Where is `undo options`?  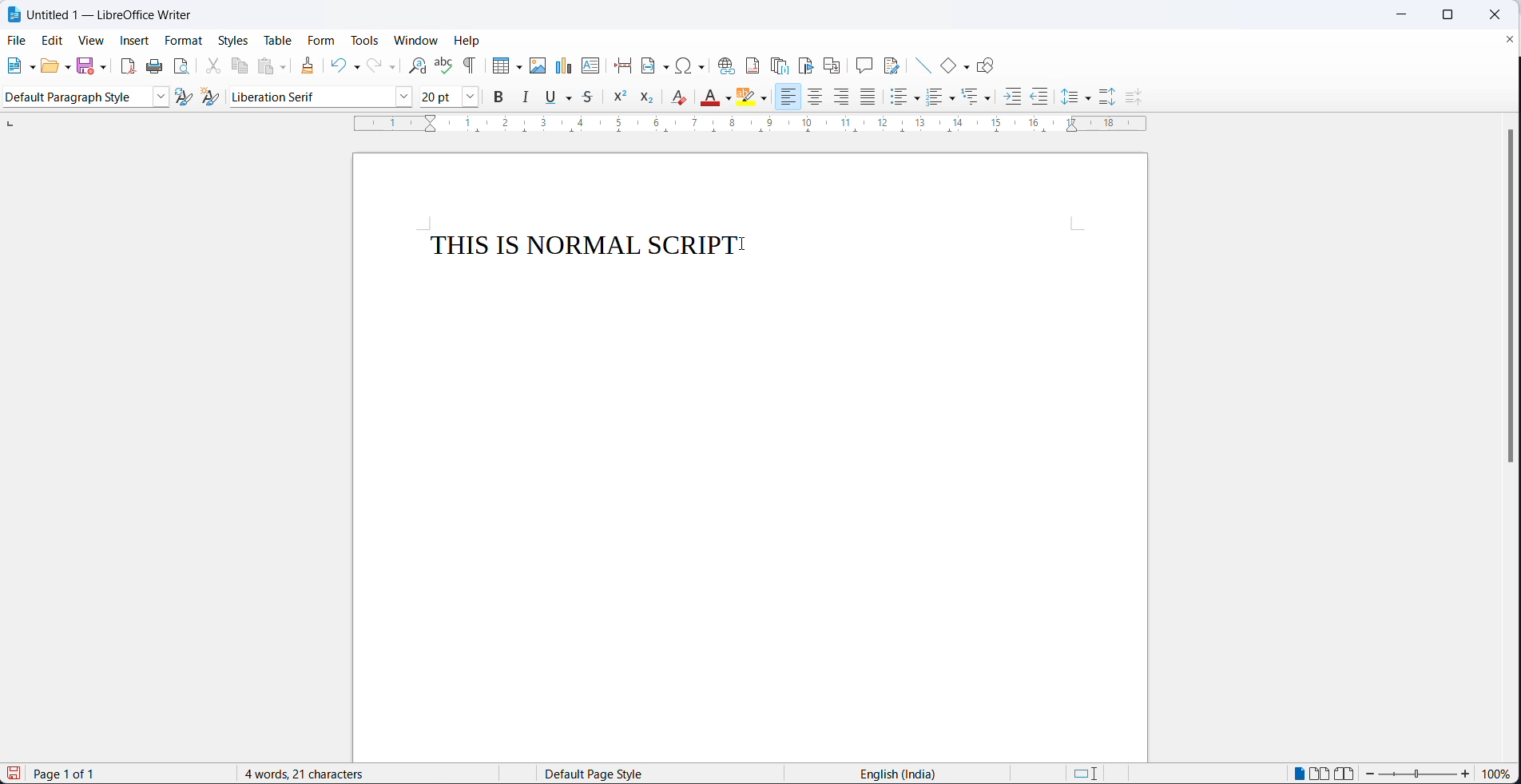
undo options is located at coordinates (354, 69).